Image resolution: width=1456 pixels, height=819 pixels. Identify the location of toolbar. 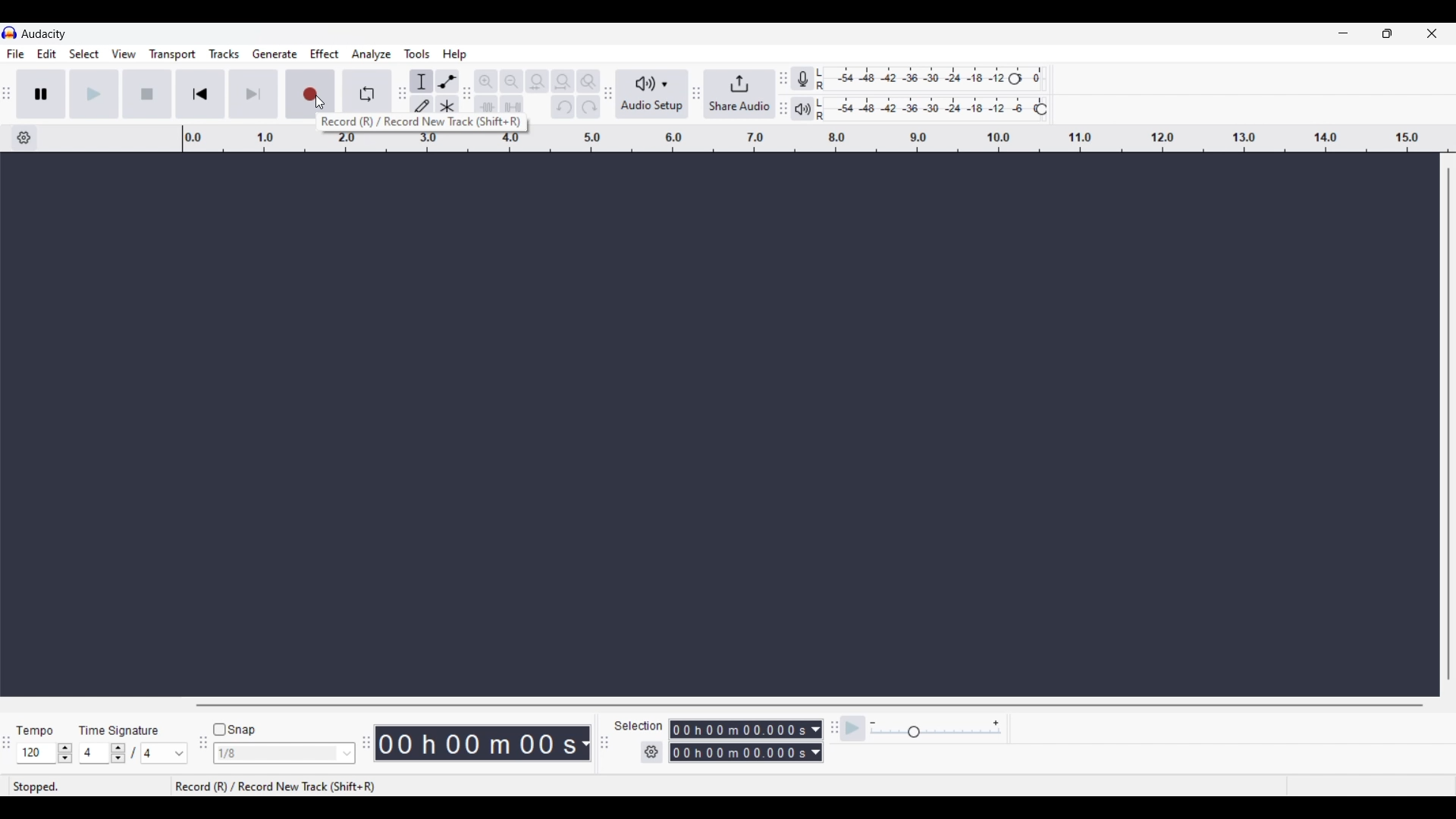
(782, 91).